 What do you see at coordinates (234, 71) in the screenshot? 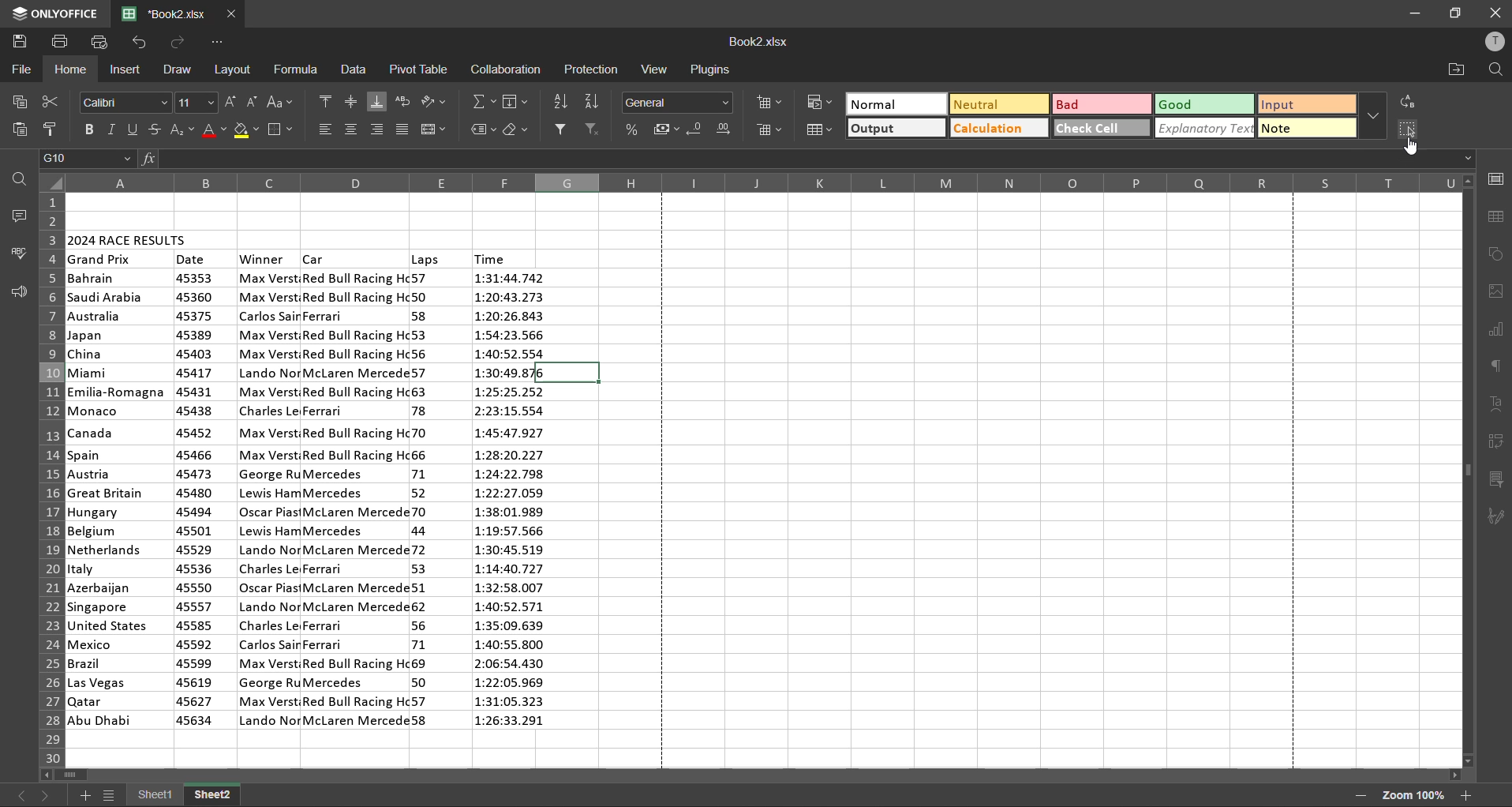
I see `layout` at bounding box center [234, 71].